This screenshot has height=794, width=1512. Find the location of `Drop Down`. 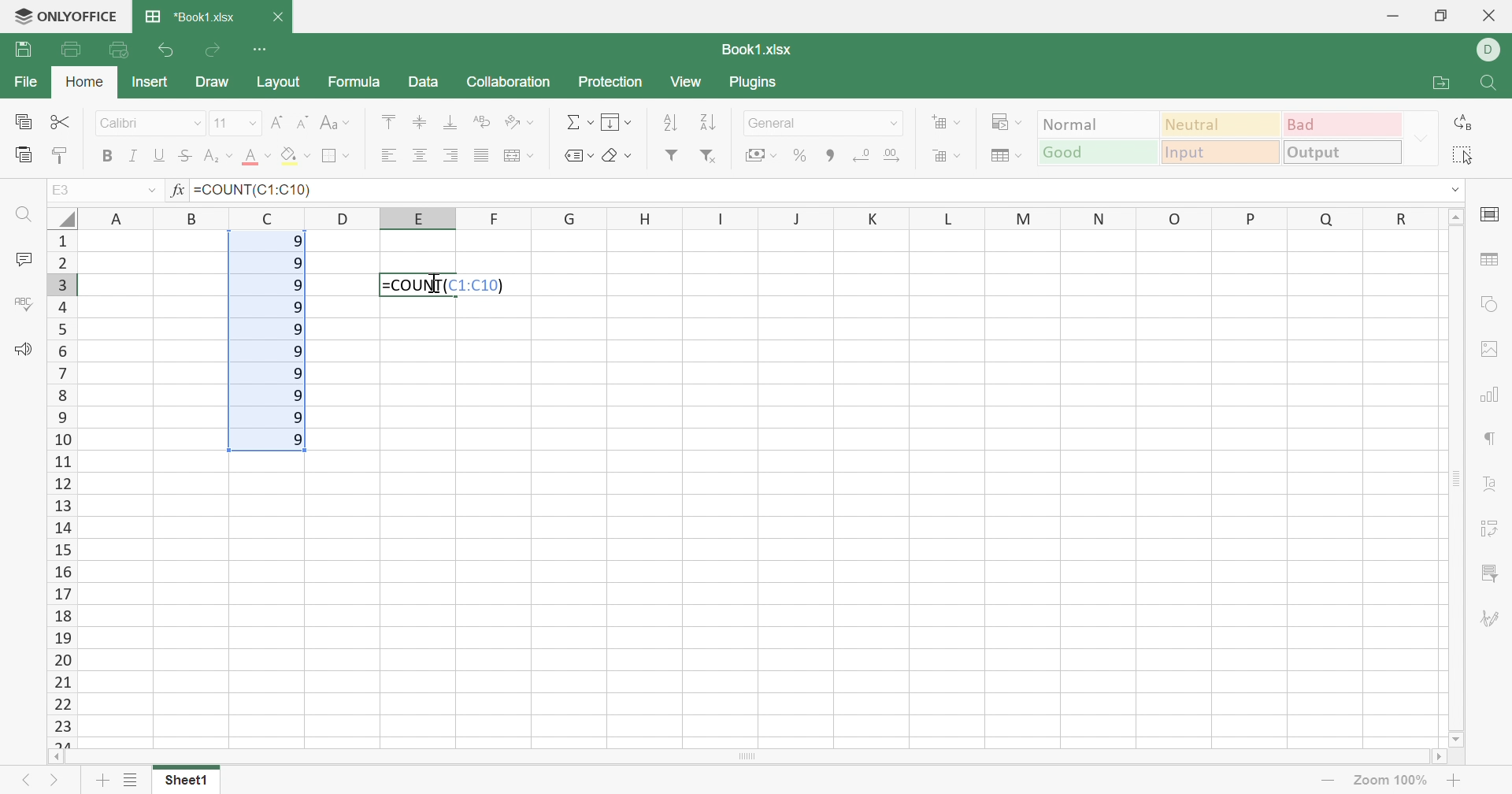

Drop Down is located at coordinates (895, 124).